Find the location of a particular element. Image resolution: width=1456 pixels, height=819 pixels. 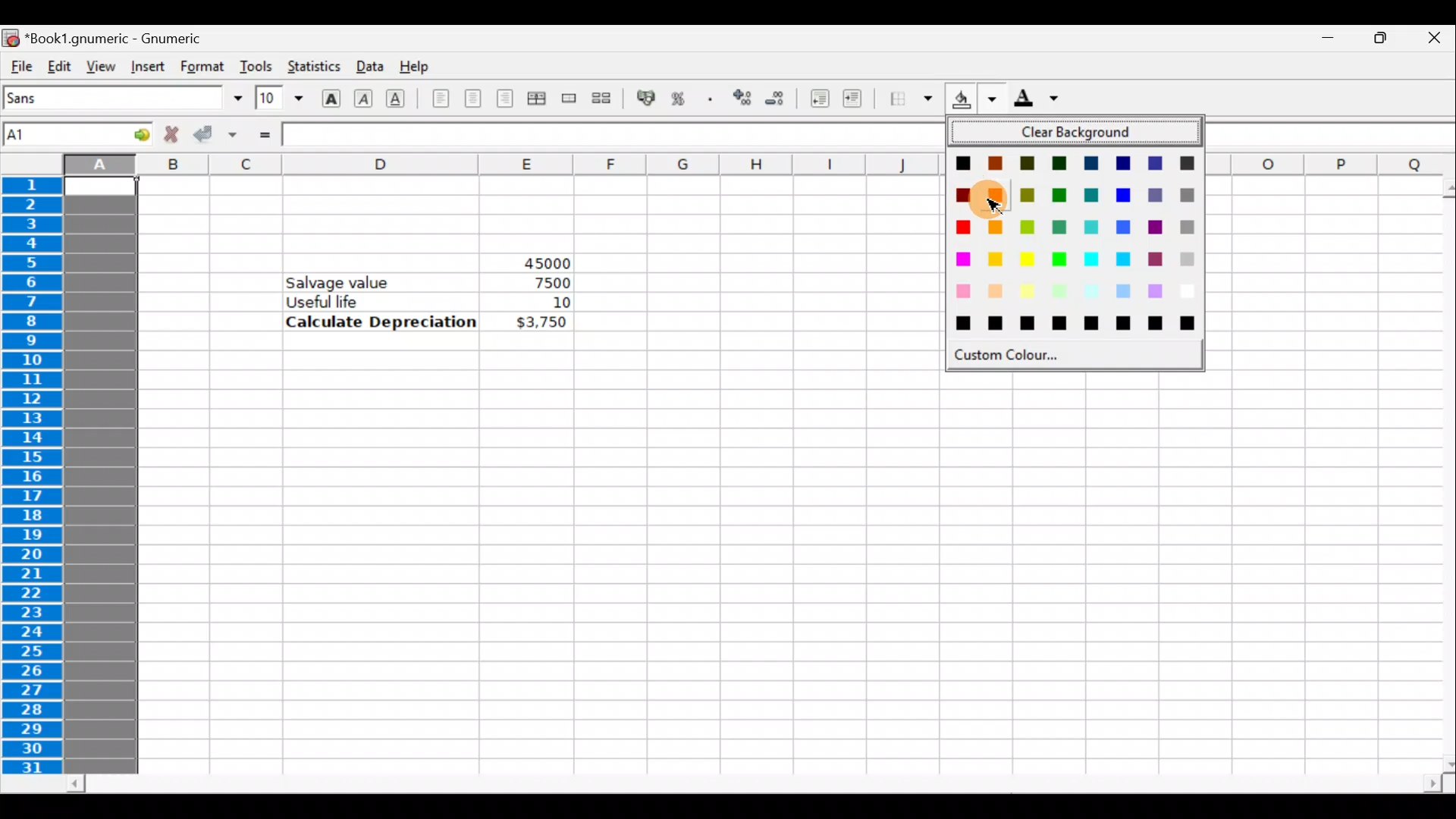

Enter formula is located at coordinates (264, 134).